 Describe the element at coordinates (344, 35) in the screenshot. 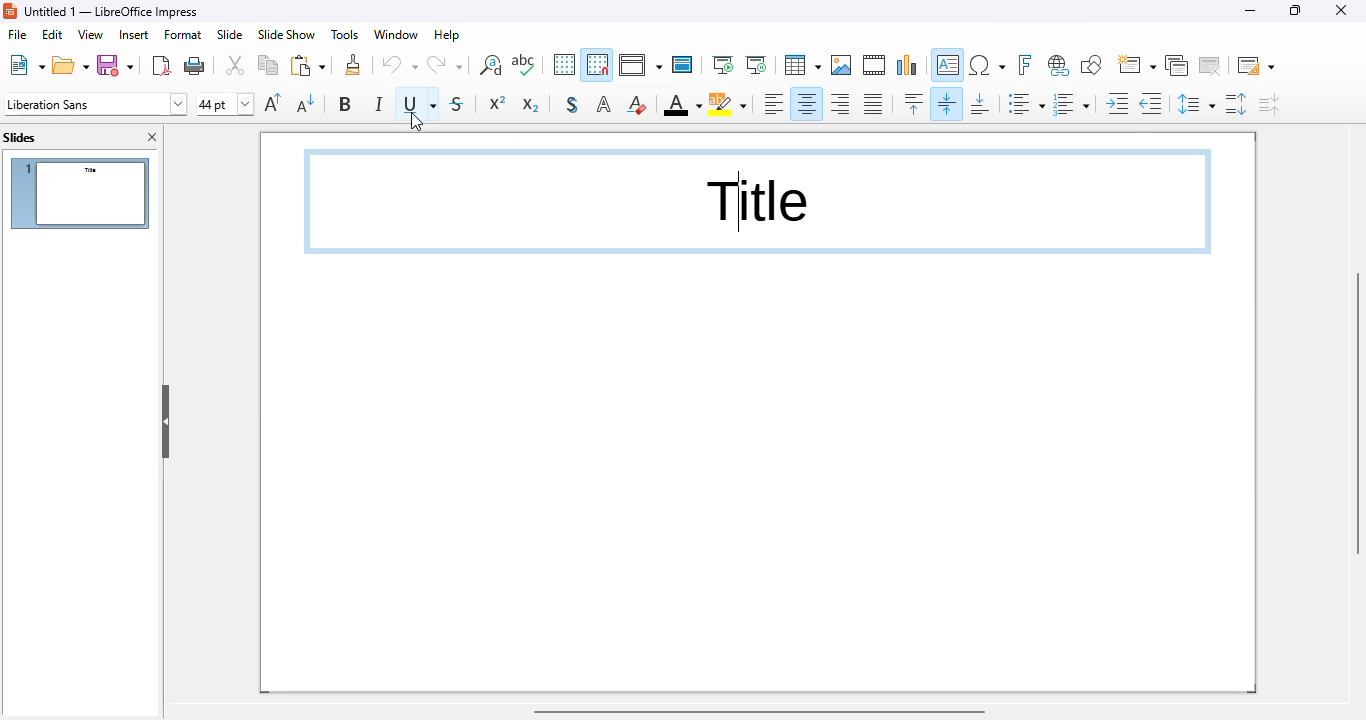

I see `tools` at that location.